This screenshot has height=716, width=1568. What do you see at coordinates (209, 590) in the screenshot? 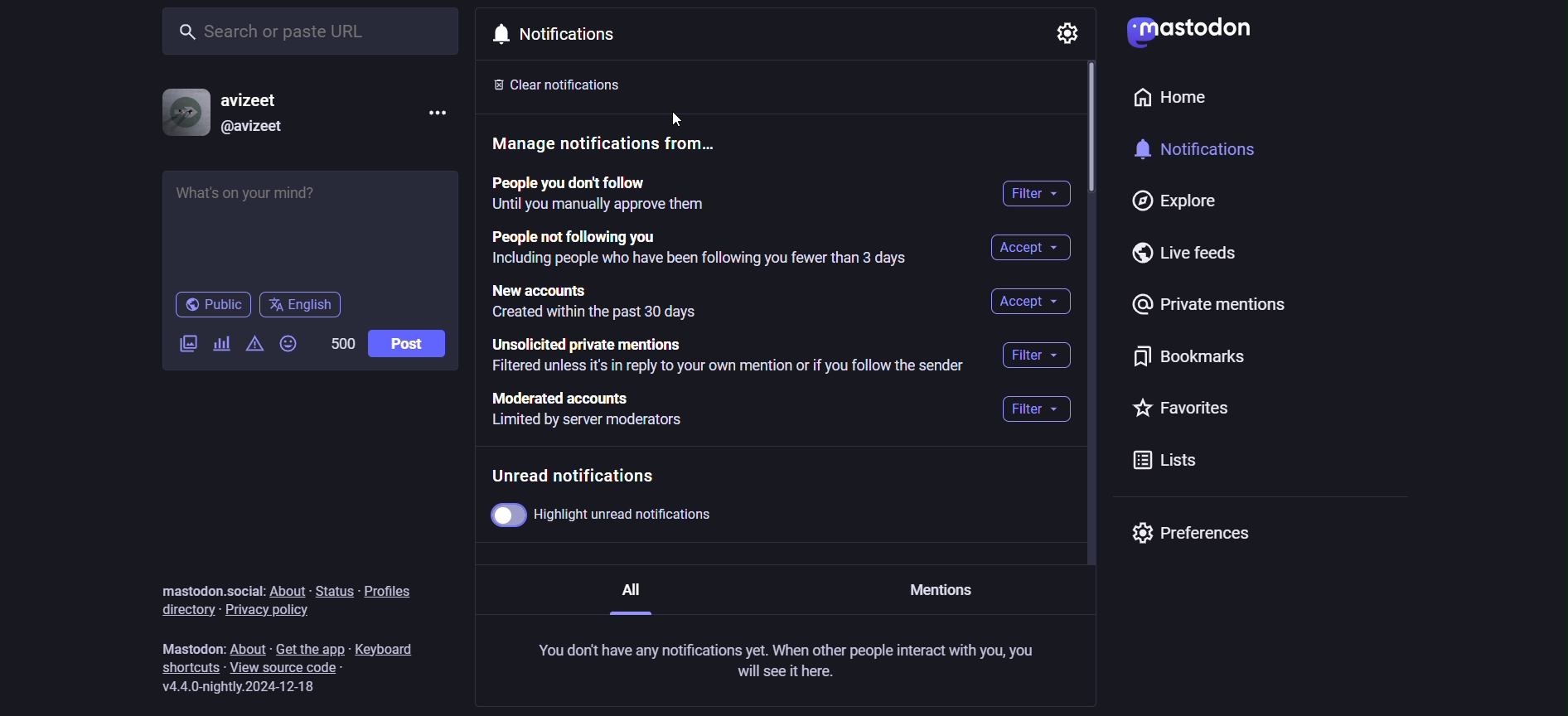
I see `text` at bounding box center [209, 590].